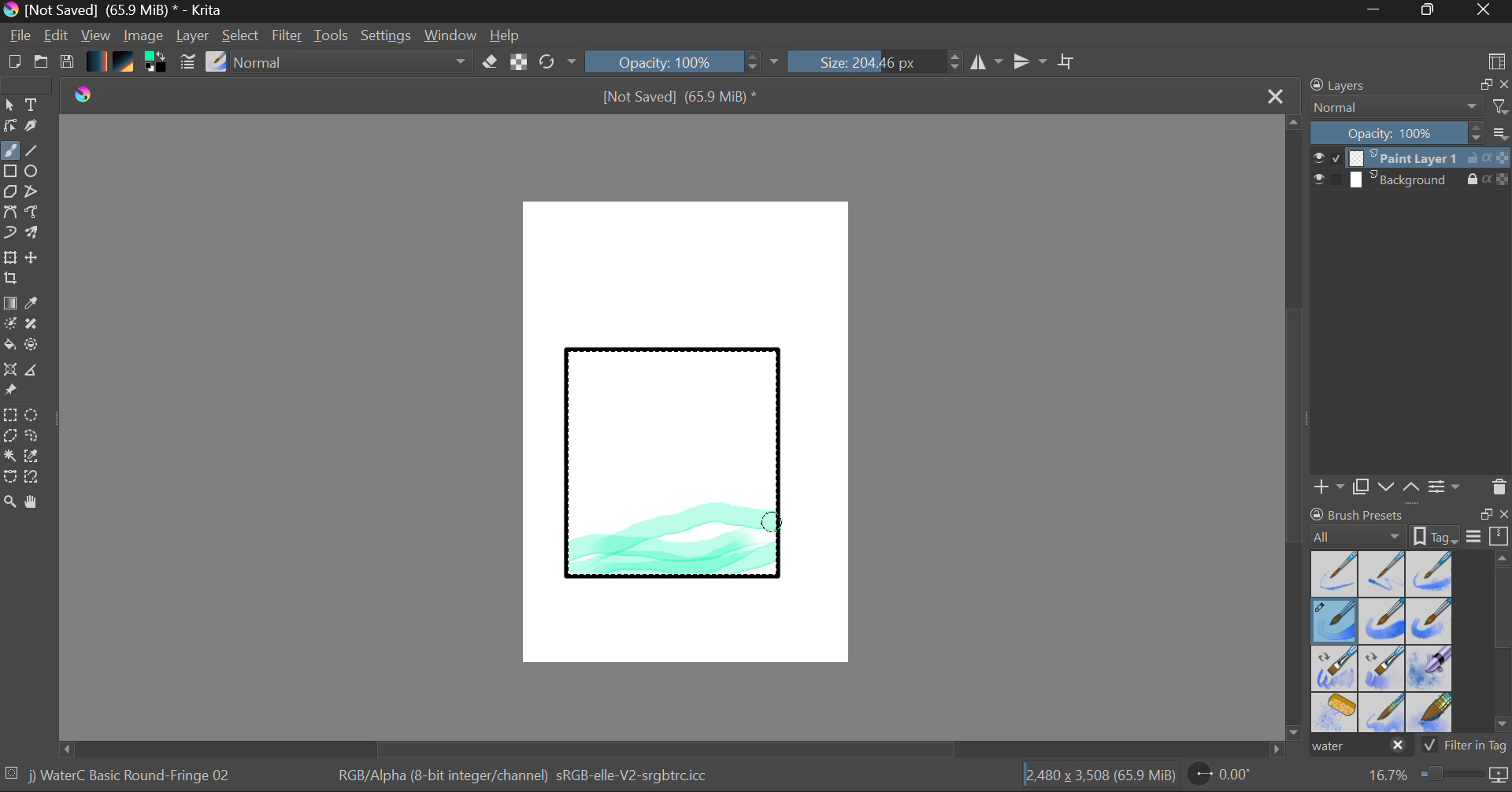  Describe the element at coordinates (33, 193) in the screenshot. I see `Polyline` at that location.